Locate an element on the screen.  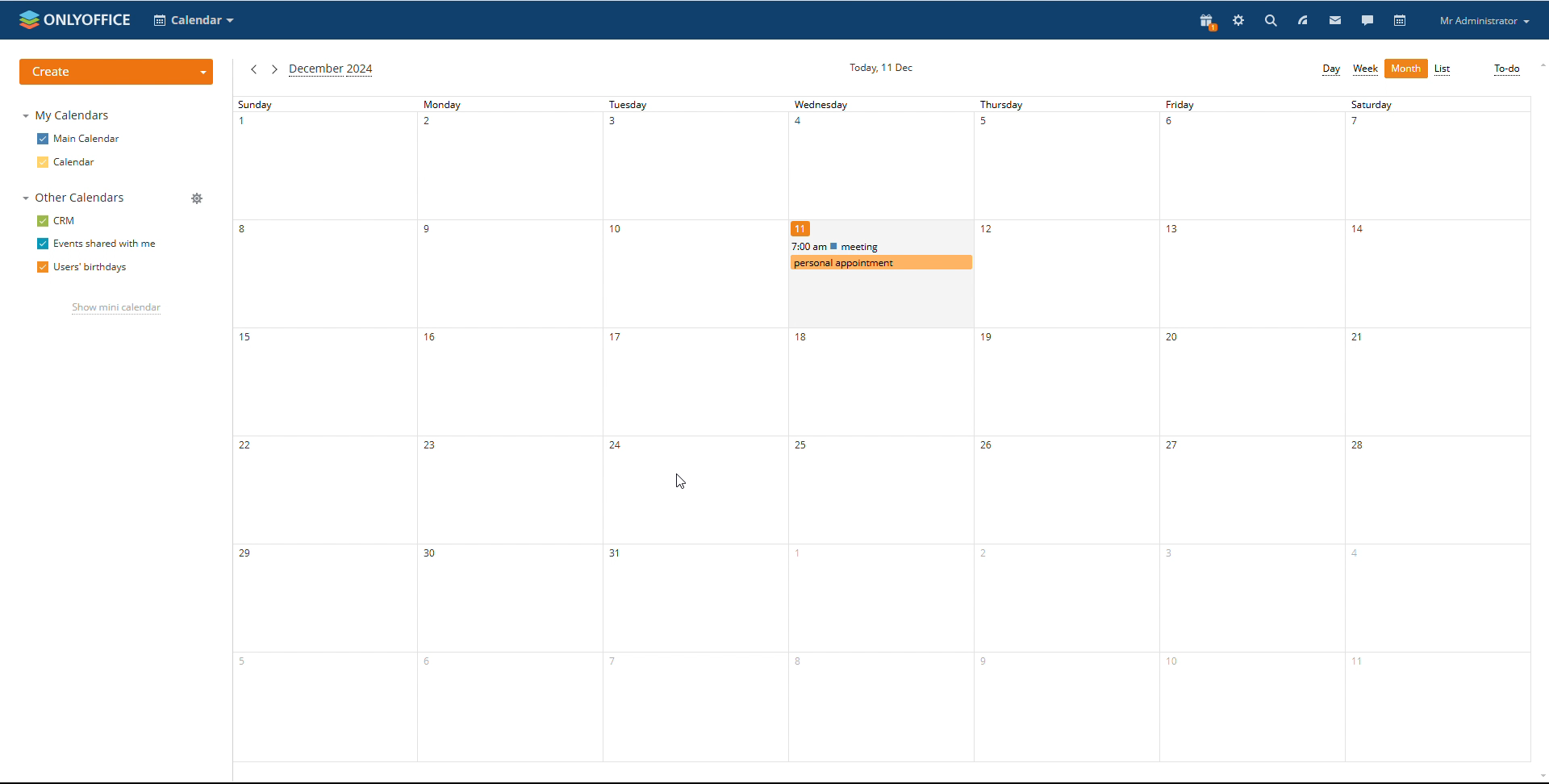
thursday is located at coordinates (1066, 430).